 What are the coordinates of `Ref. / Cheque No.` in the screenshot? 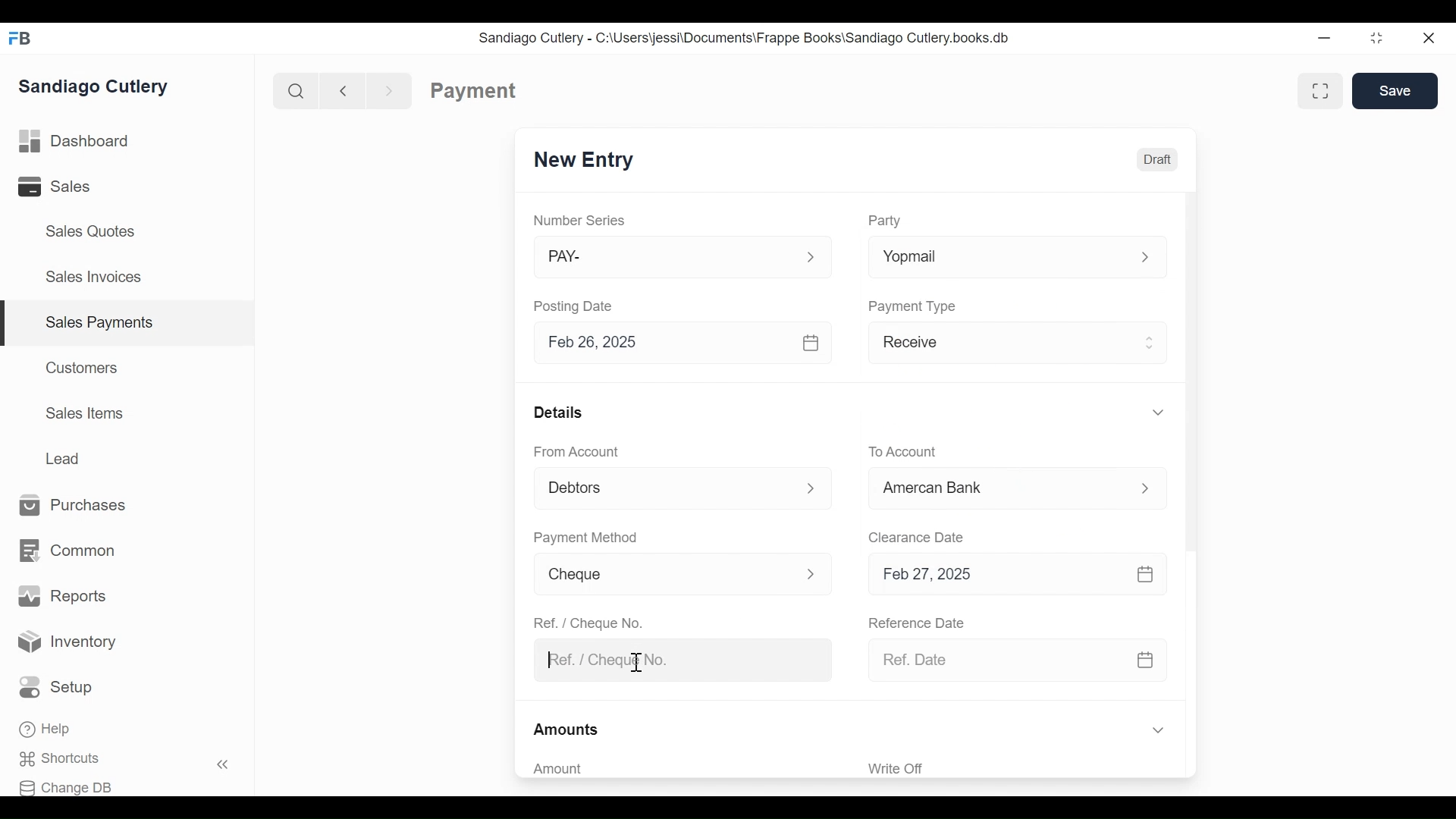 It's located at (676, 661).